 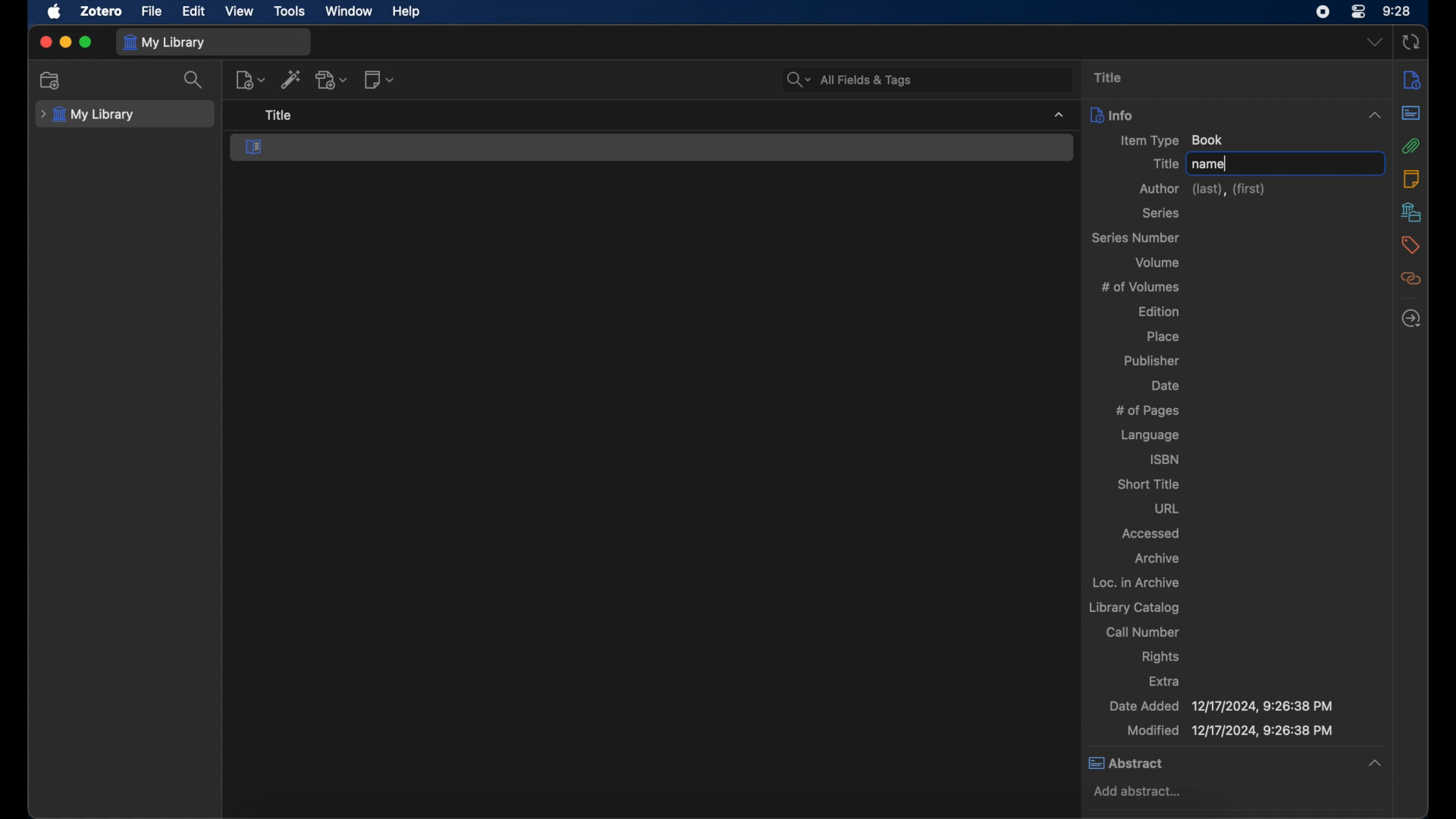 What do you see at coordinates (1411, 113) in the screenshot?
I see `abstract` at bounding box center [1411, 113].